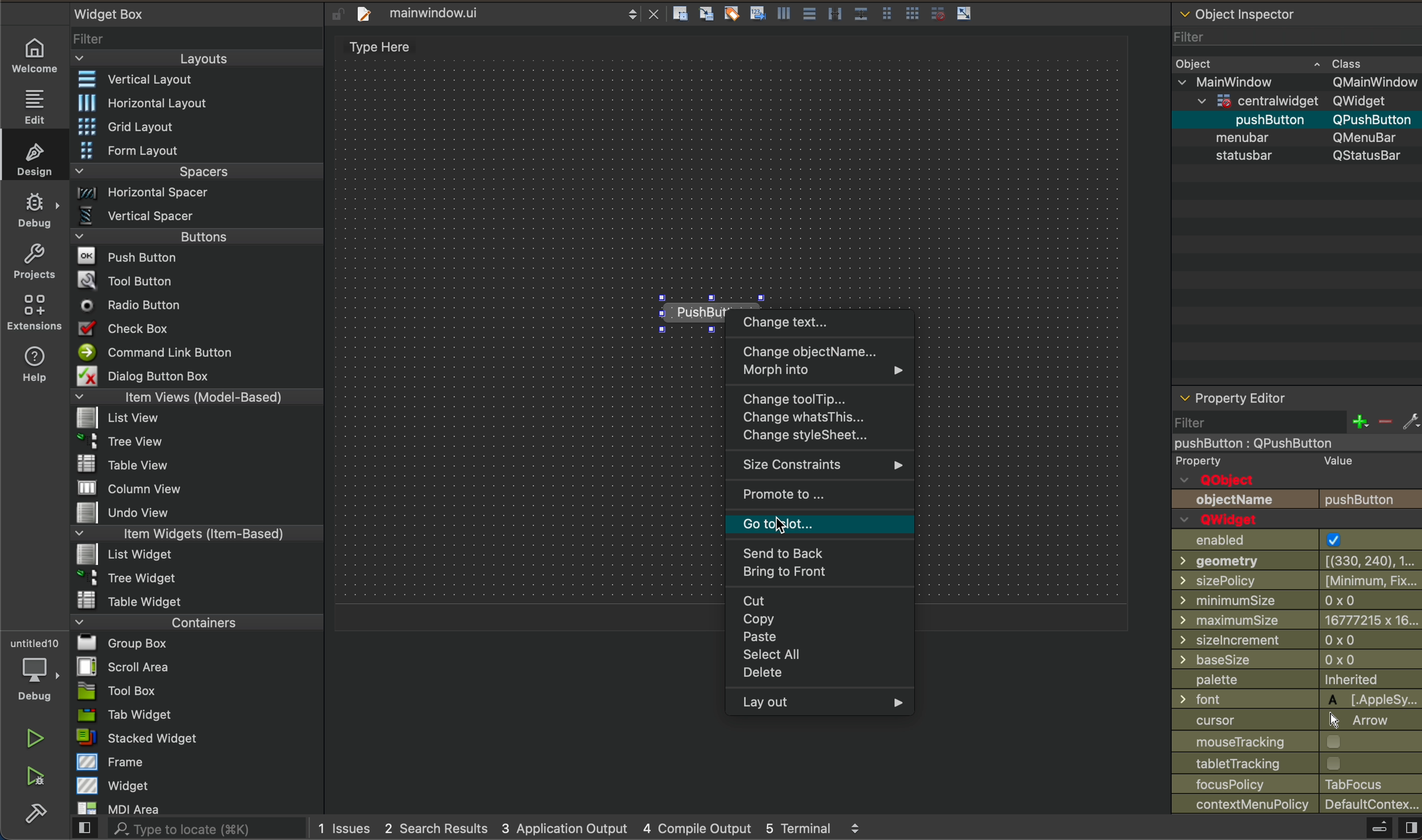 This screenshot has width=1422, height=840. I want to click on undo view, so click(198, 513).